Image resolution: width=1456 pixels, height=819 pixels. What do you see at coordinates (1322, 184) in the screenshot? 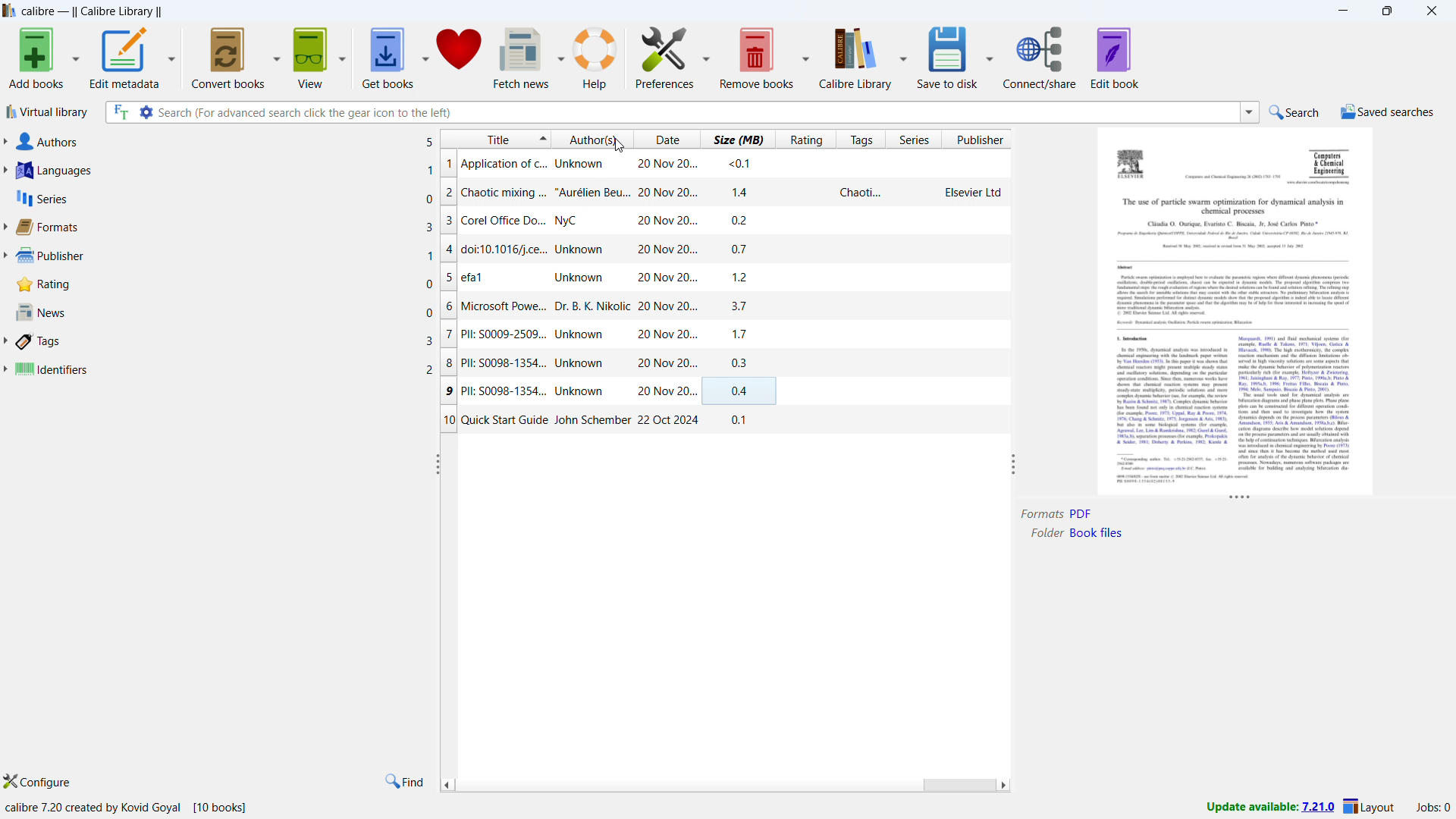
I see `` at bounding box center [1322, 184].